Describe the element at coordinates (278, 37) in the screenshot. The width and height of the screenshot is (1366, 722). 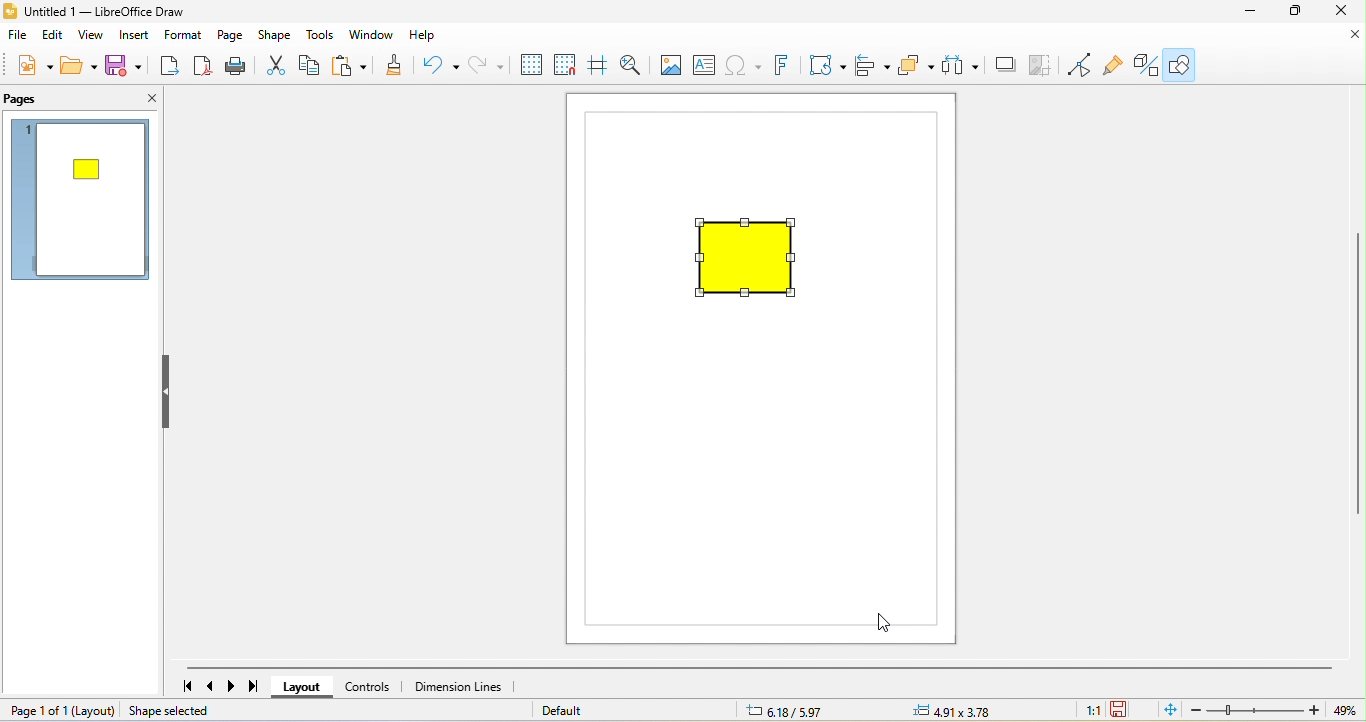
I see `shape` at that location.